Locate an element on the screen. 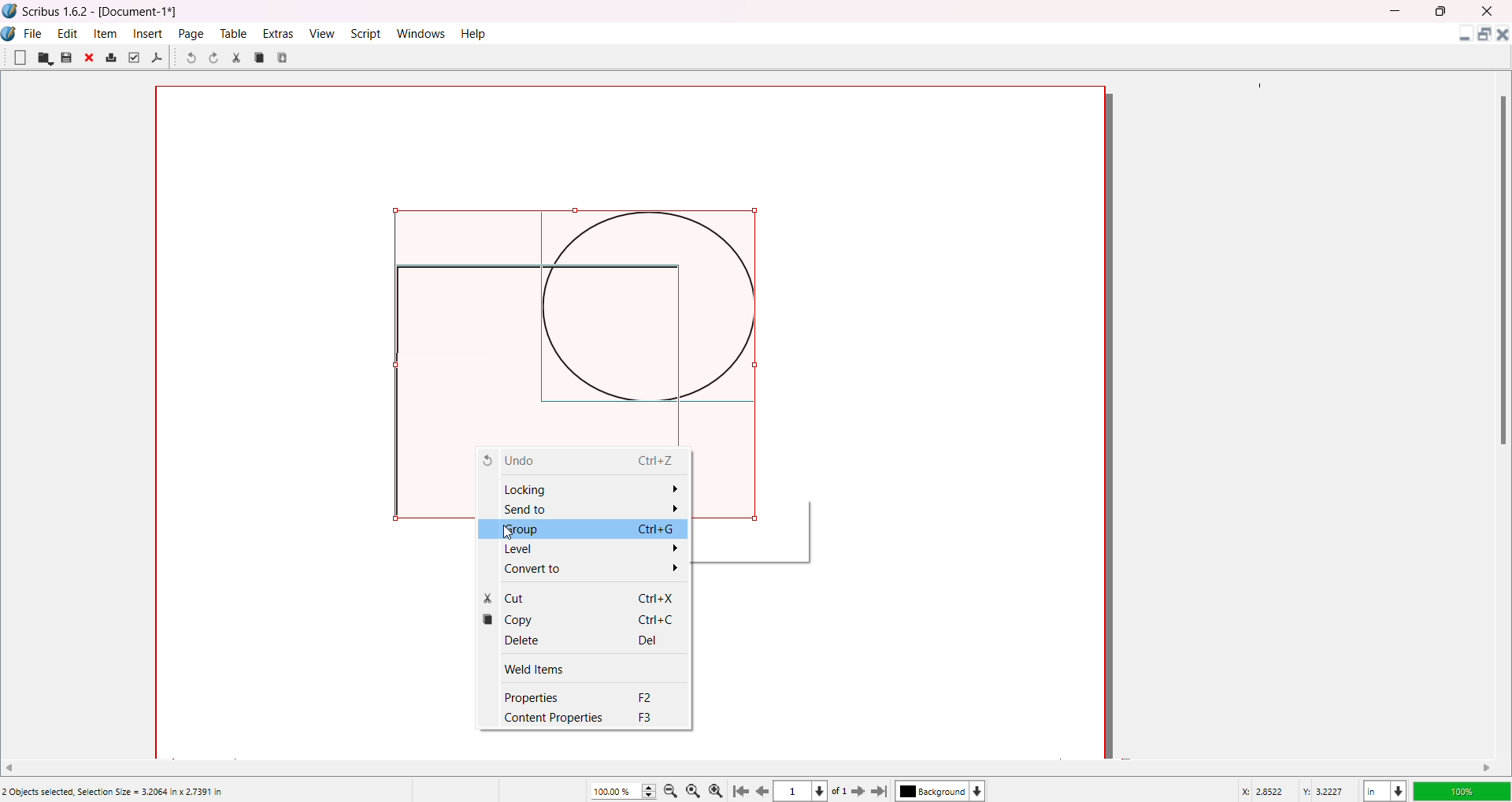 This screenshot has width=1512, height=802. Save as PDF is located at coordinates (157, 58).